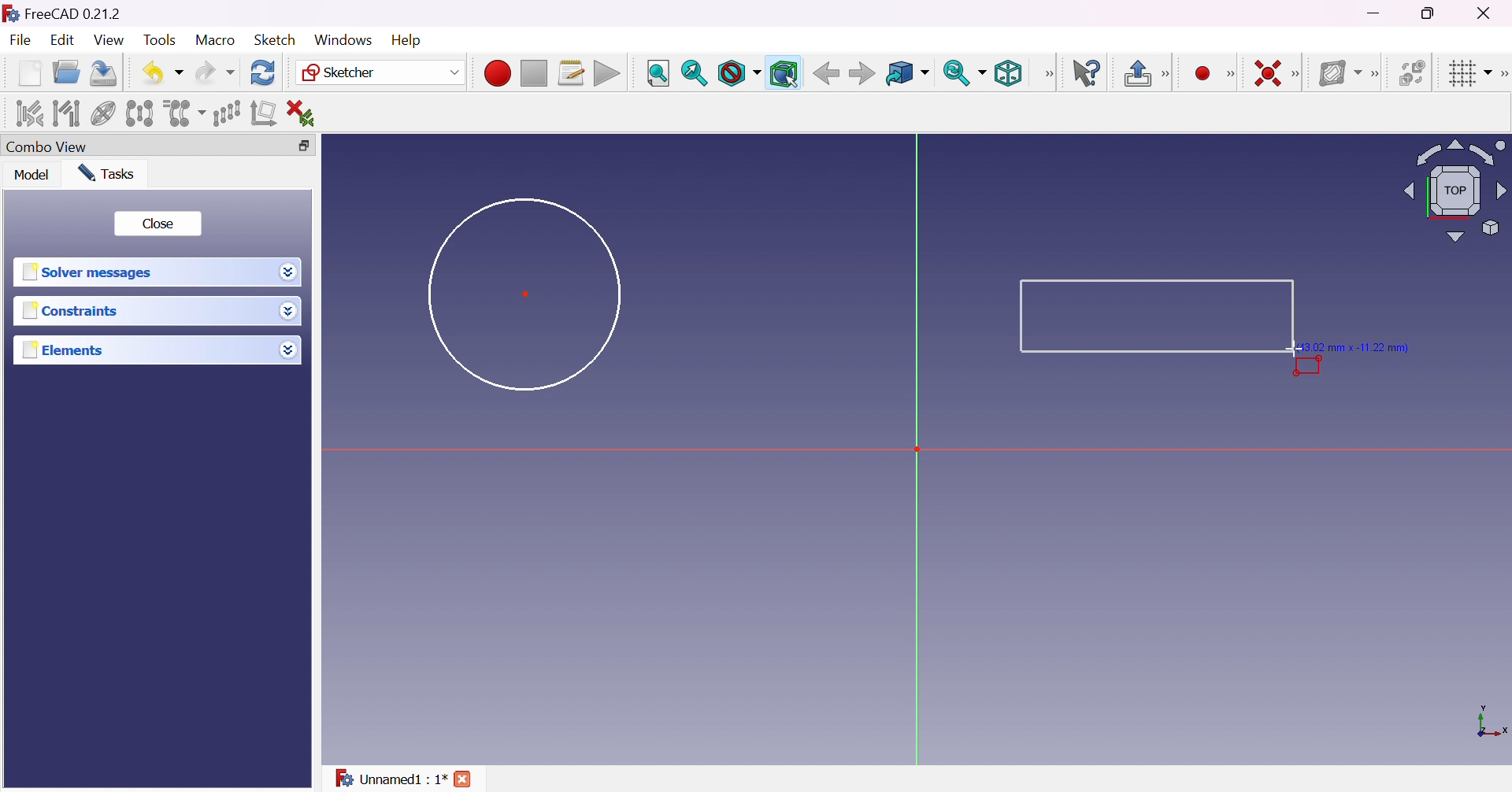 Image resolution: width=1512 pixels, height=792 pixels. What do you see at coordinates (299, 146) in the screenshot?
I see `Restore down` at bounding box center [299, 146].